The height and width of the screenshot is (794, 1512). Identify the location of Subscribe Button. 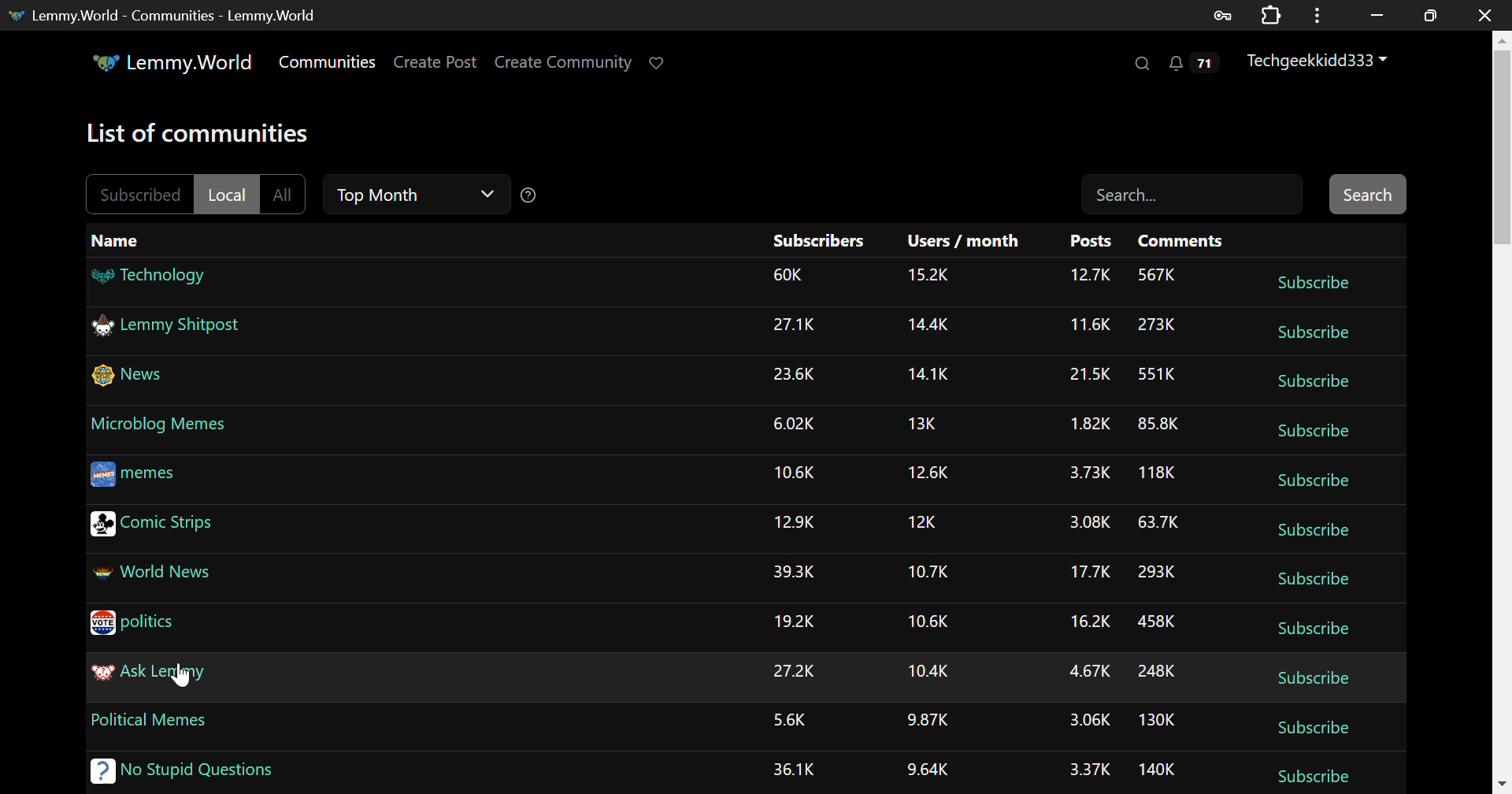
(1317, 284).